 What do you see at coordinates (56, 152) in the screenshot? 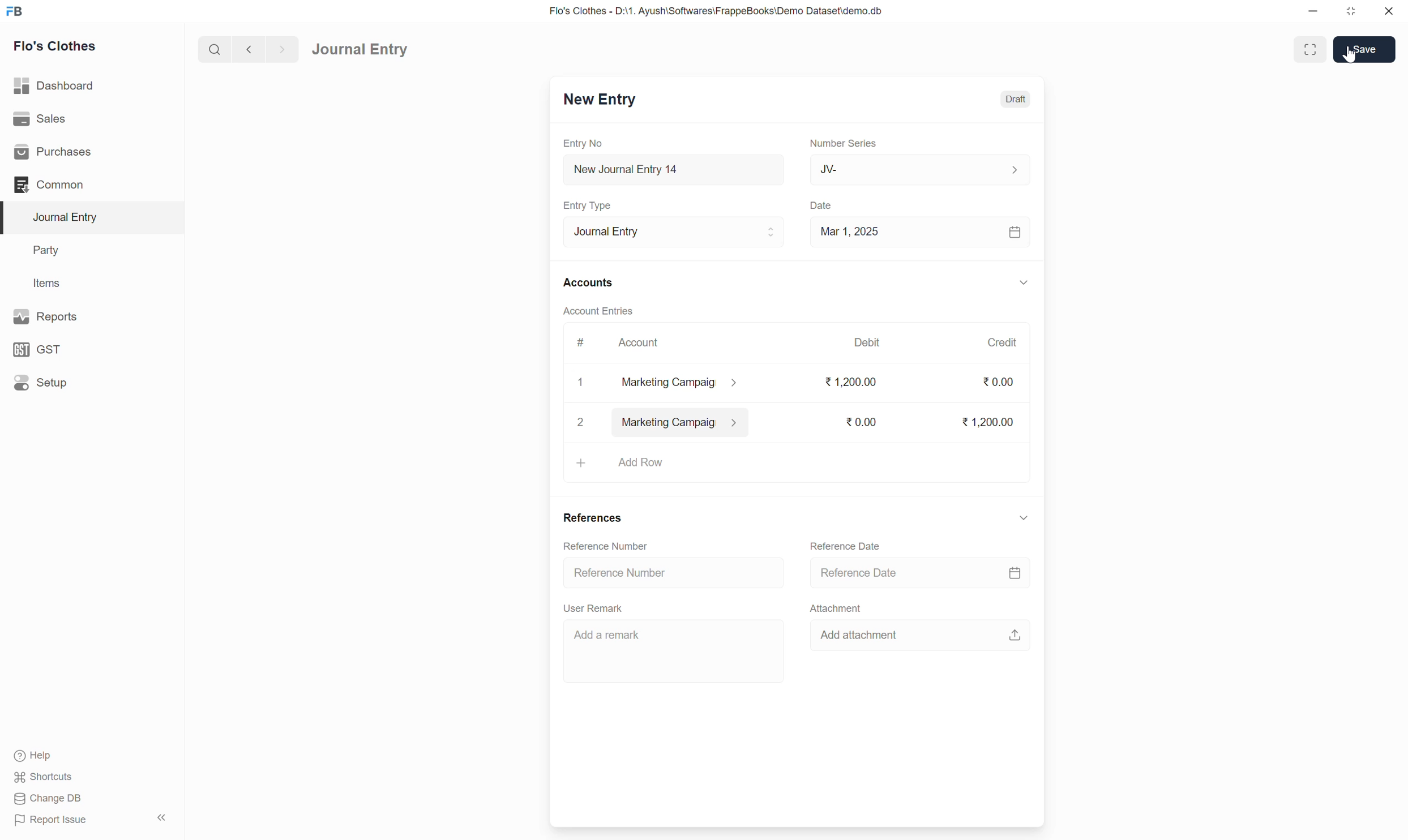
I see `Purchases` at bounding box center [56, 152].